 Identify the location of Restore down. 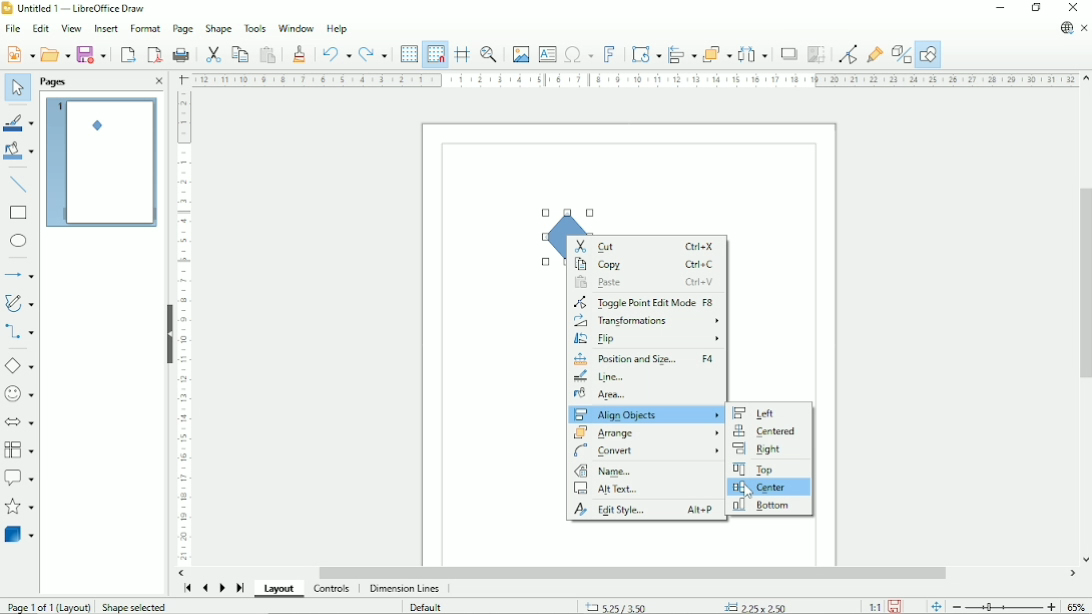
(1036, 7).